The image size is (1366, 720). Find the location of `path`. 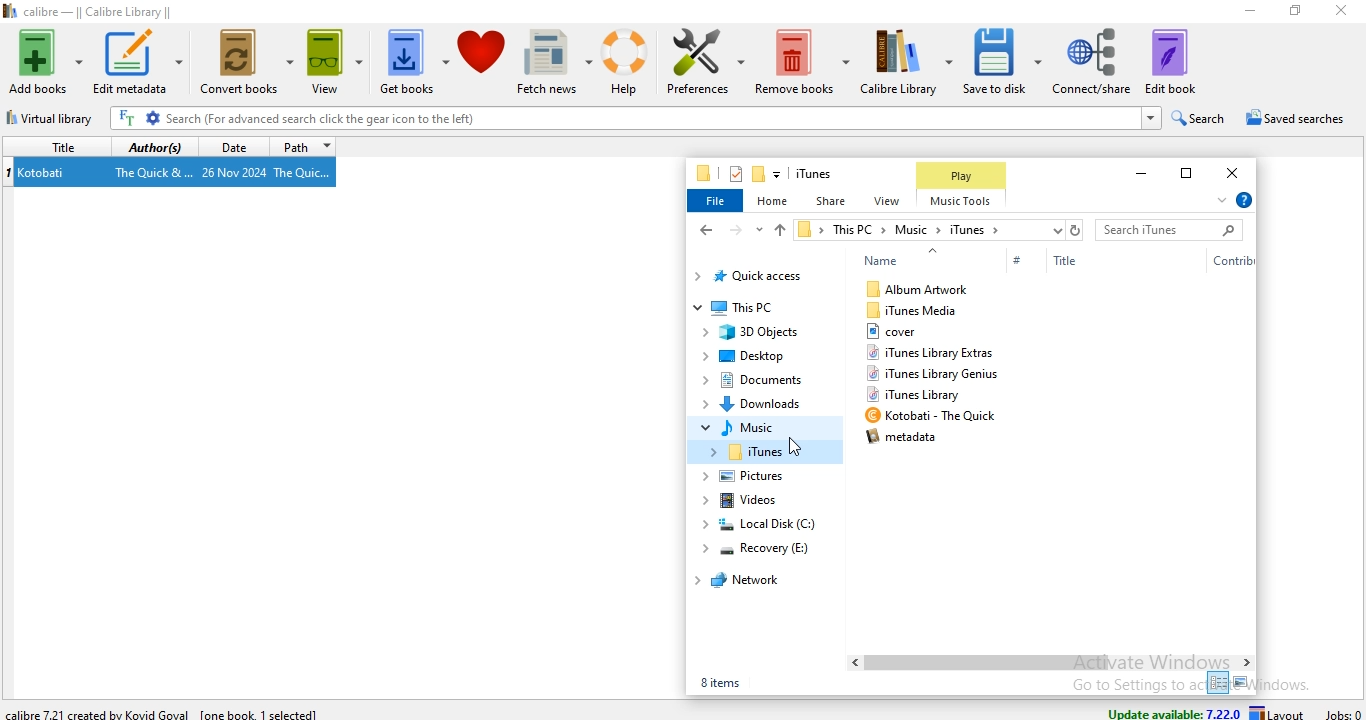

path is located at coordinates (305, 146).